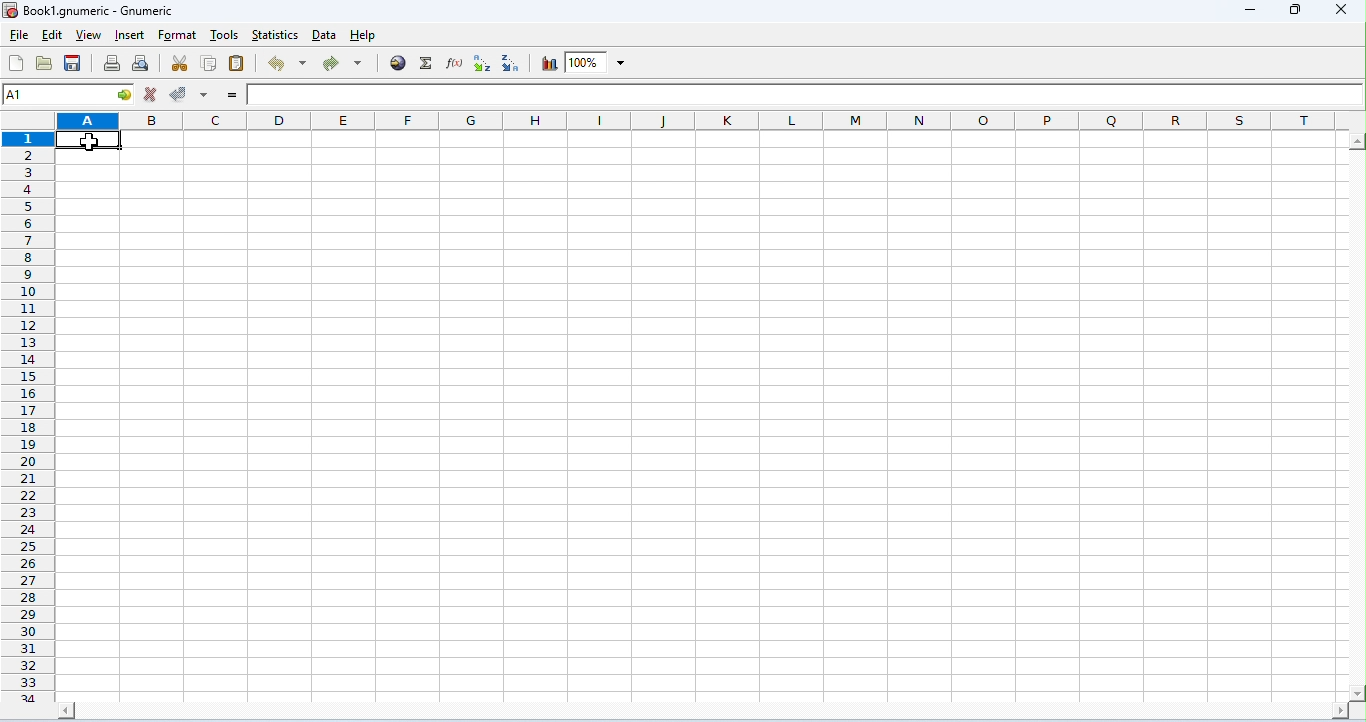 Image resolution: width=1366 pixels, height=722 pixels. I want to click on sheet3, so click(121, 705).